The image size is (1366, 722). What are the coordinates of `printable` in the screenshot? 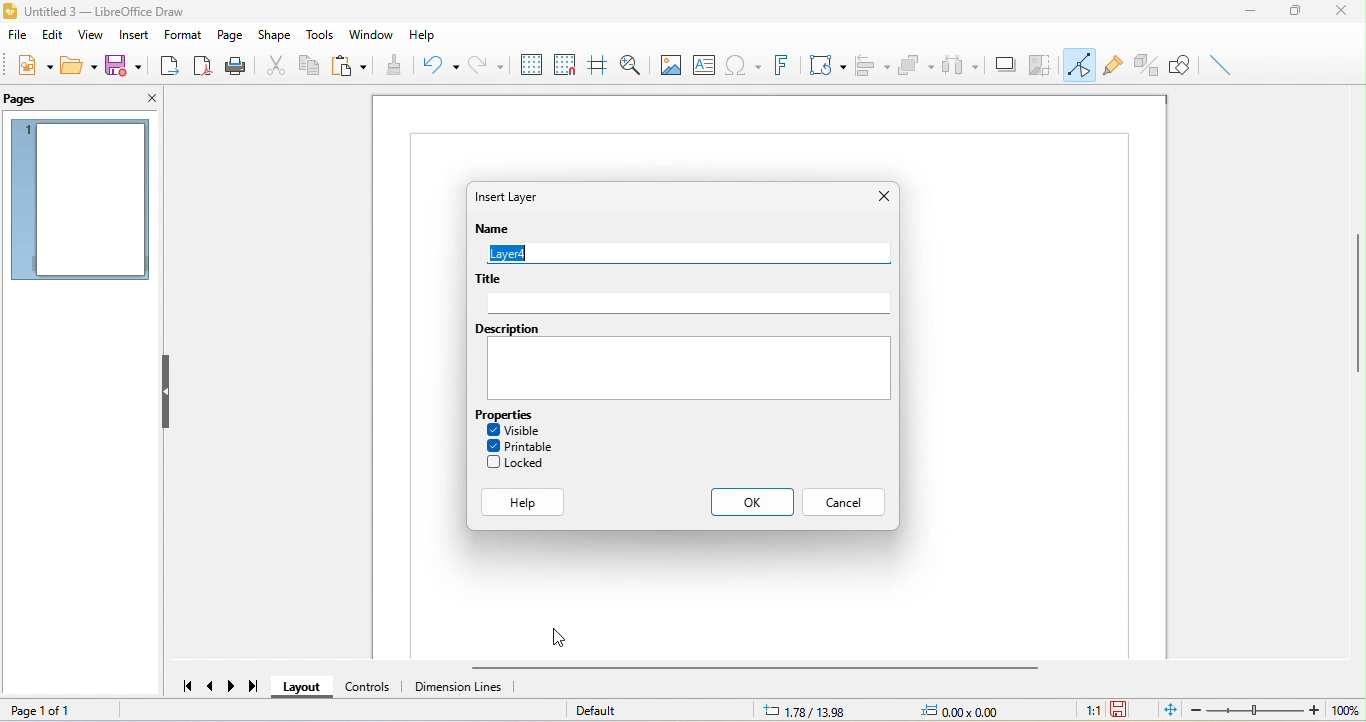 It's located at (520, 445).